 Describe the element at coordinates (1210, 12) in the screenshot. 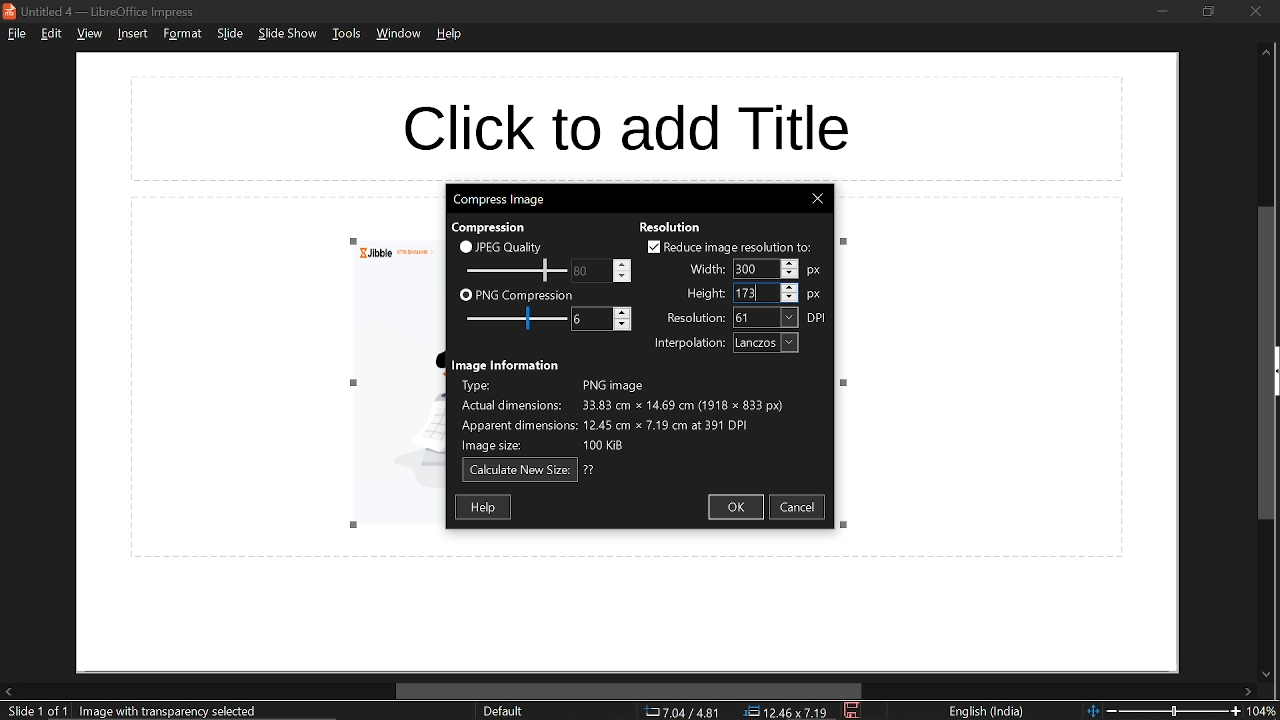

I see `restore down` at that location.